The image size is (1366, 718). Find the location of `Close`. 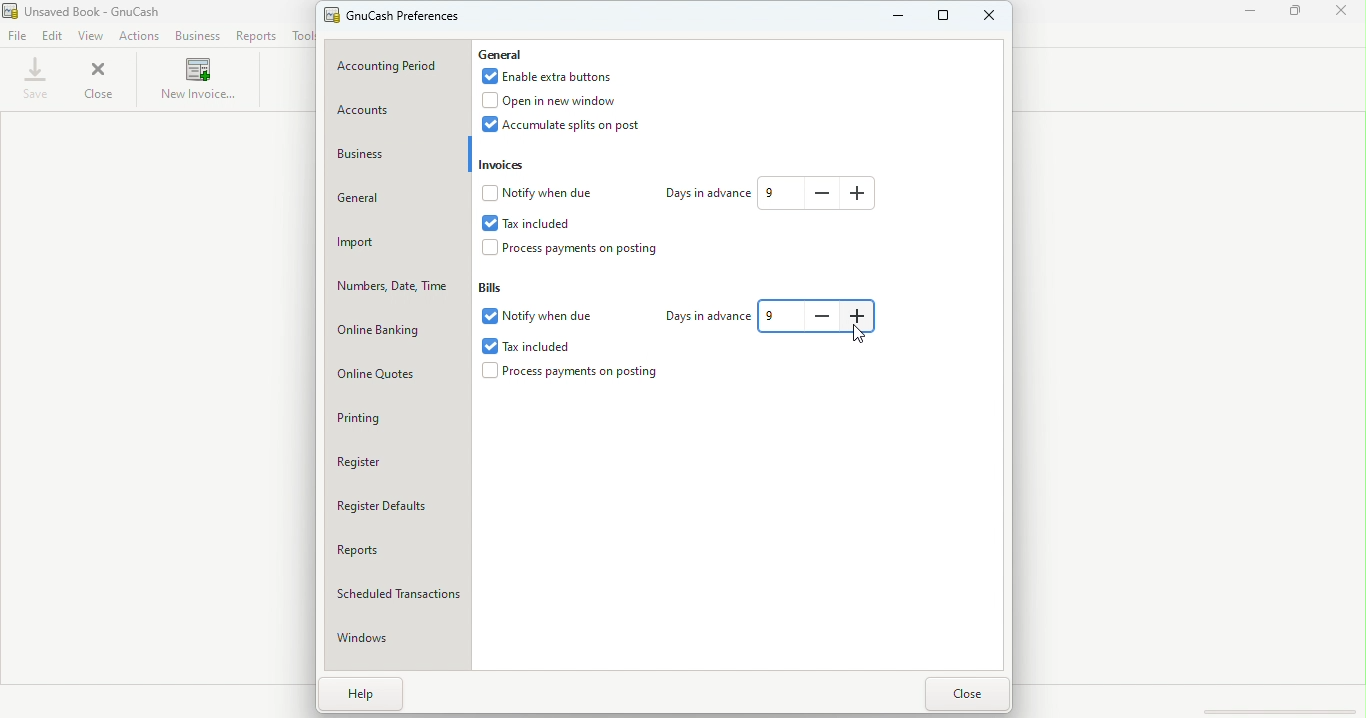

Close is located at coordinates (993, 22).